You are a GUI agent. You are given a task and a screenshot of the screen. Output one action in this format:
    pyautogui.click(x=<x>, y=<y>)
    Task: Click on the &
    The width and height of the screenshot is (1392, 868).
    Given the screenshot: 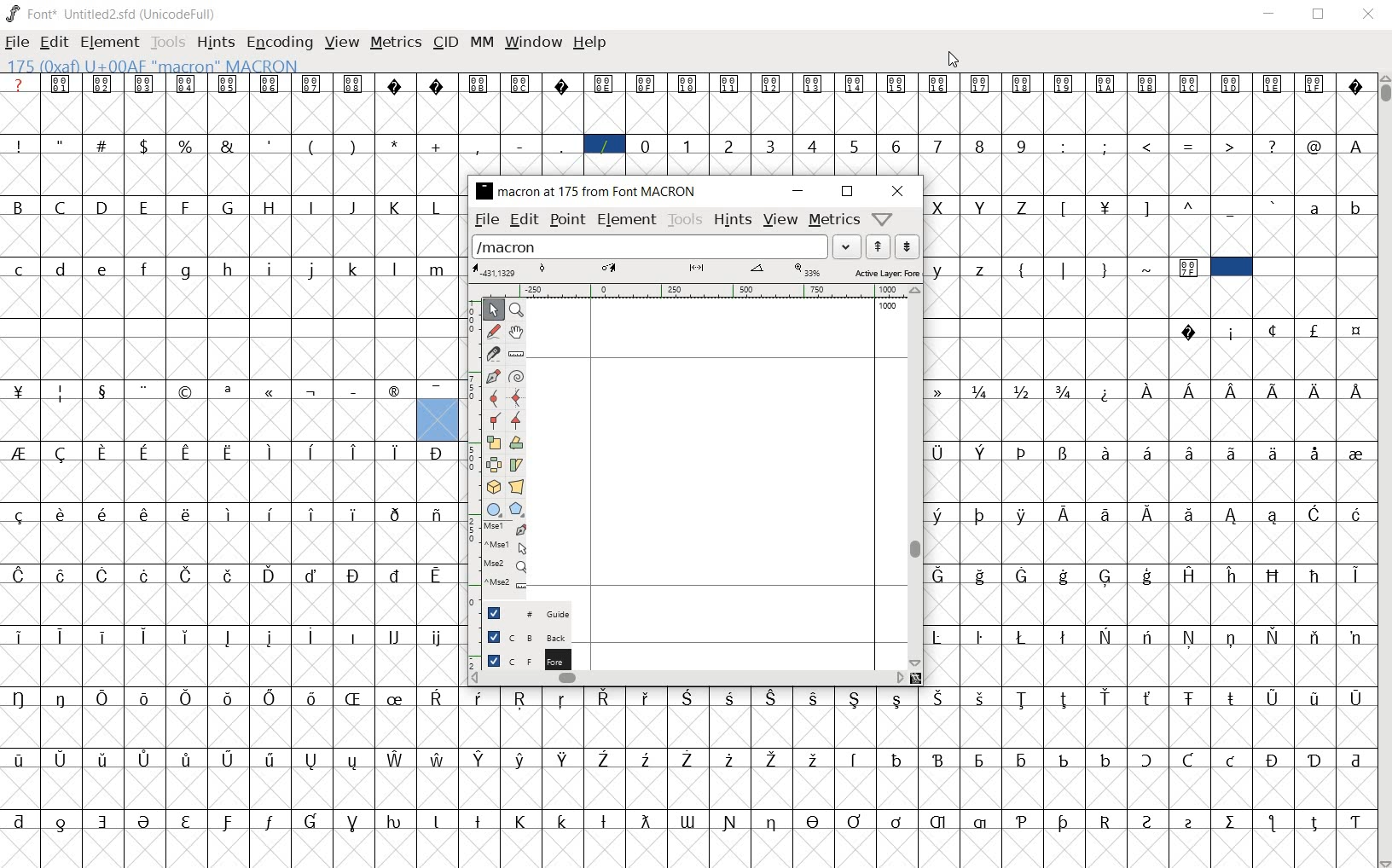 What is the action you would take?
    pyautogui.click(x=229, y=146)
    